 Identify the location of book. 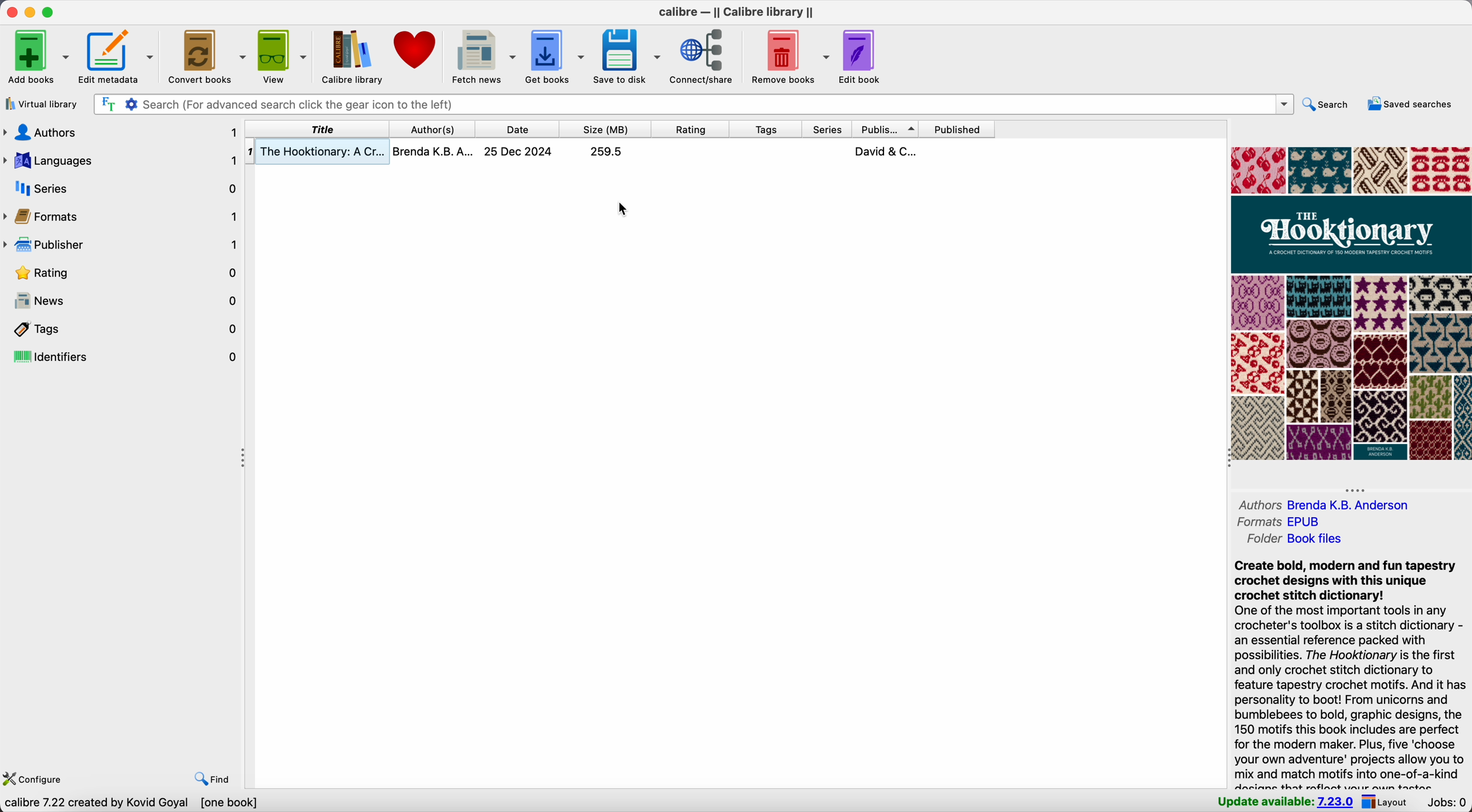
(692, 150).